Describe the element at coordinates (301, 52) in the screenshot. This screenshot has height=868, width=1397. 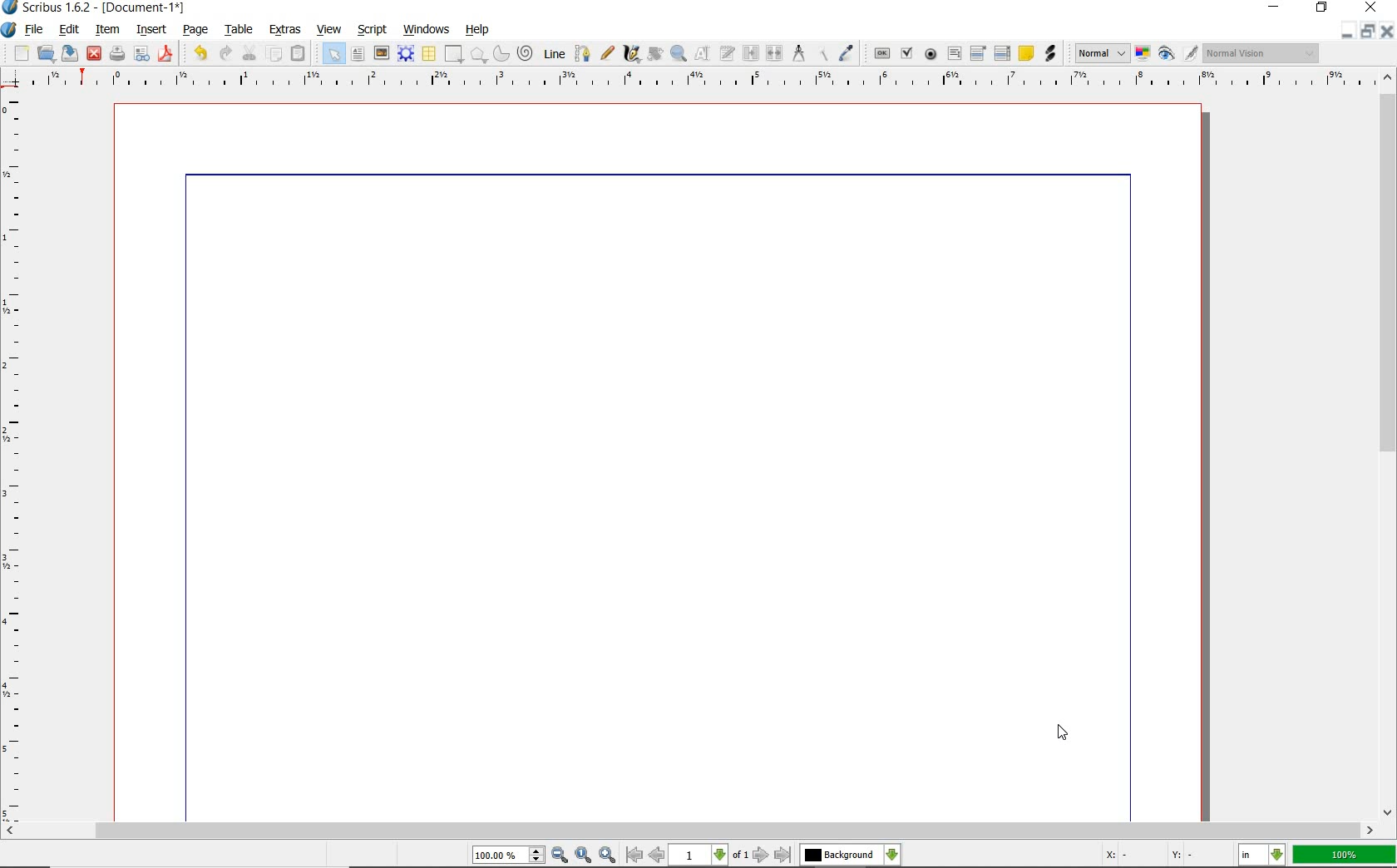
I see `paste` at that location.